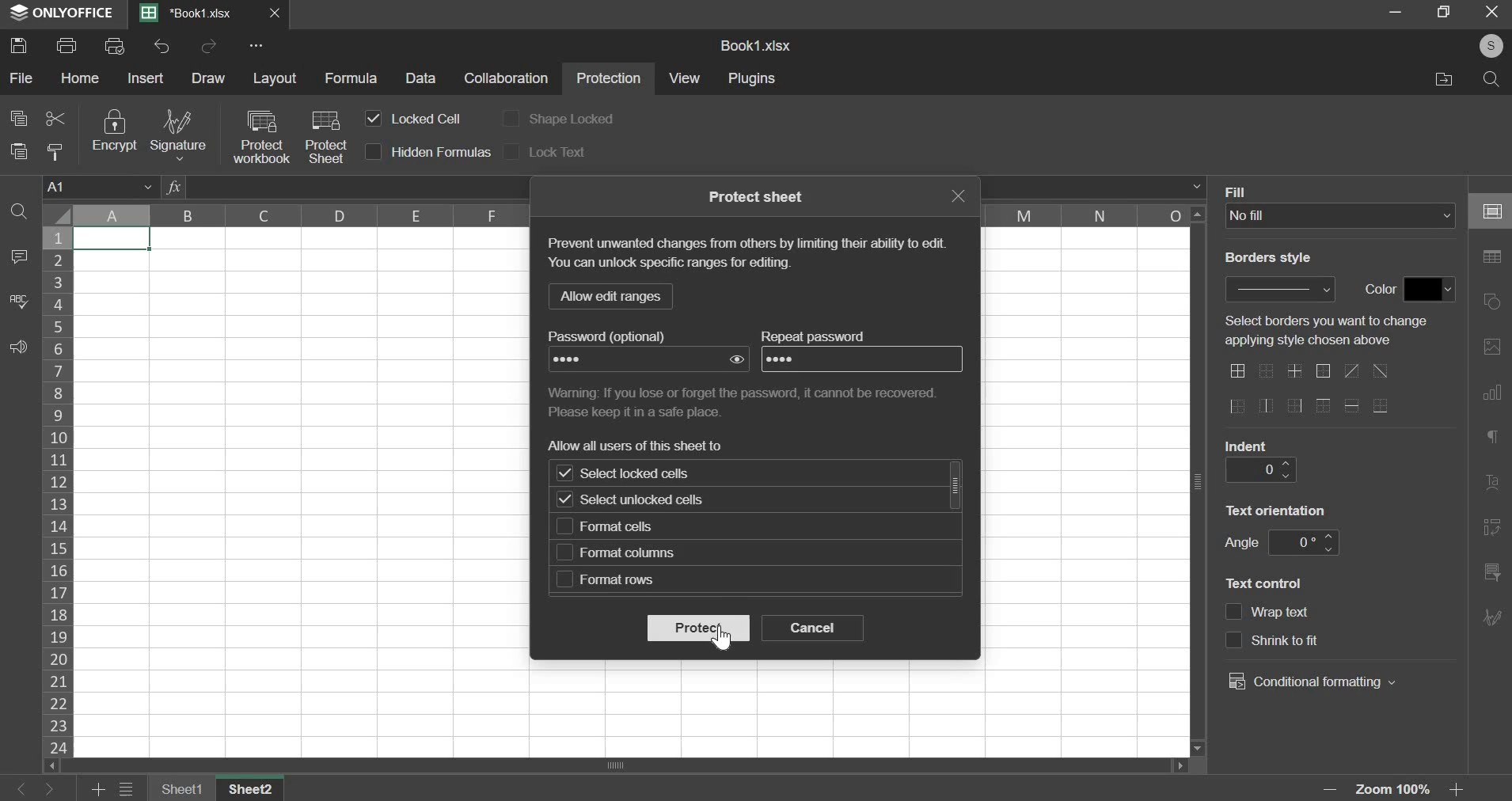 This screenshot has width=1512, height=801. What do you see at coordinates (1293, 408) in the screenshot?
I see `border options` at bounding box center [1293, 408].